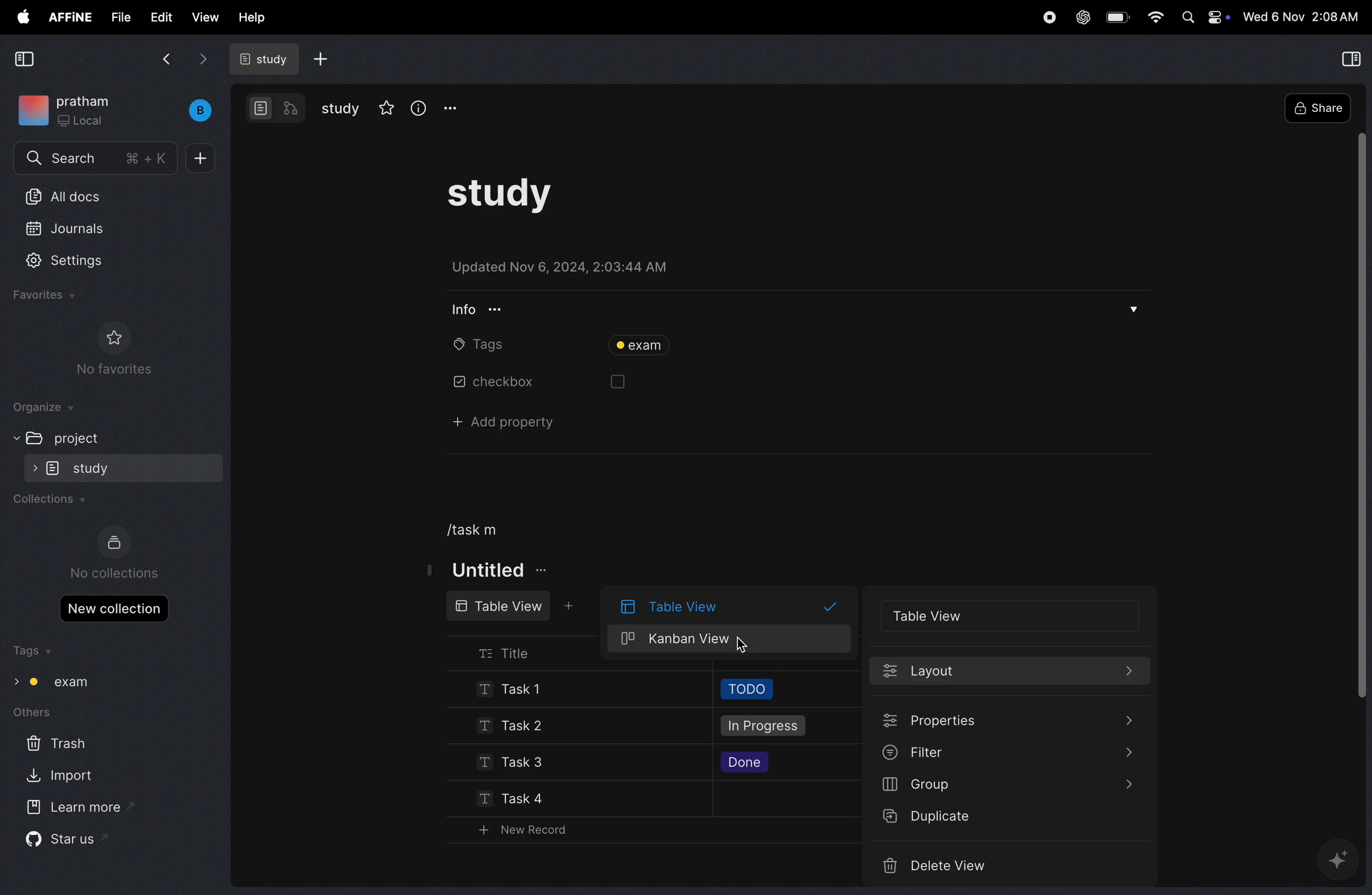 The width and height of the screenshot is (1372, 895). Describe the element at coordinates (520, 690) in the screenshot. I see `Task !` at that location.